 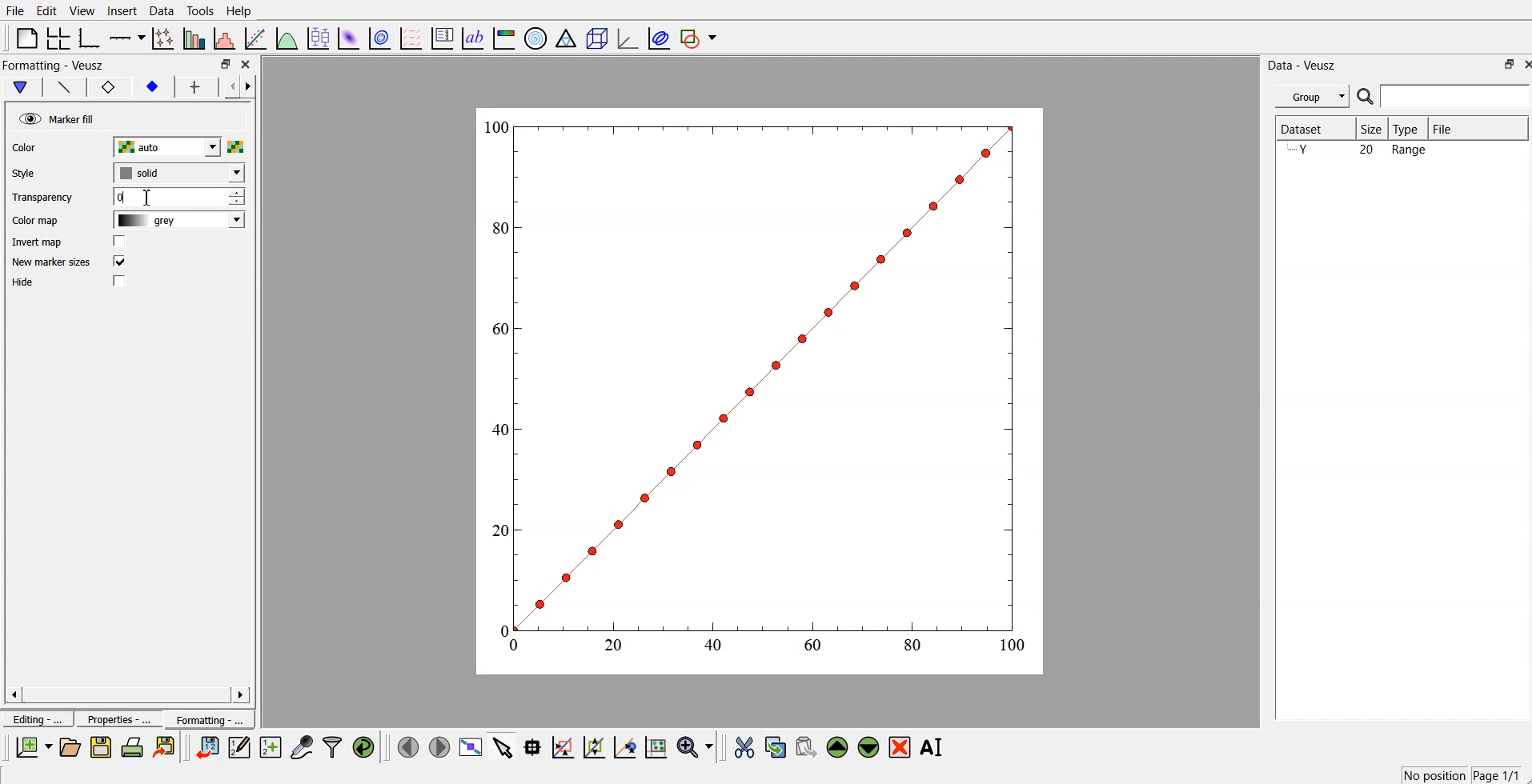 I want to click on Help, so click(x=243, y=10).